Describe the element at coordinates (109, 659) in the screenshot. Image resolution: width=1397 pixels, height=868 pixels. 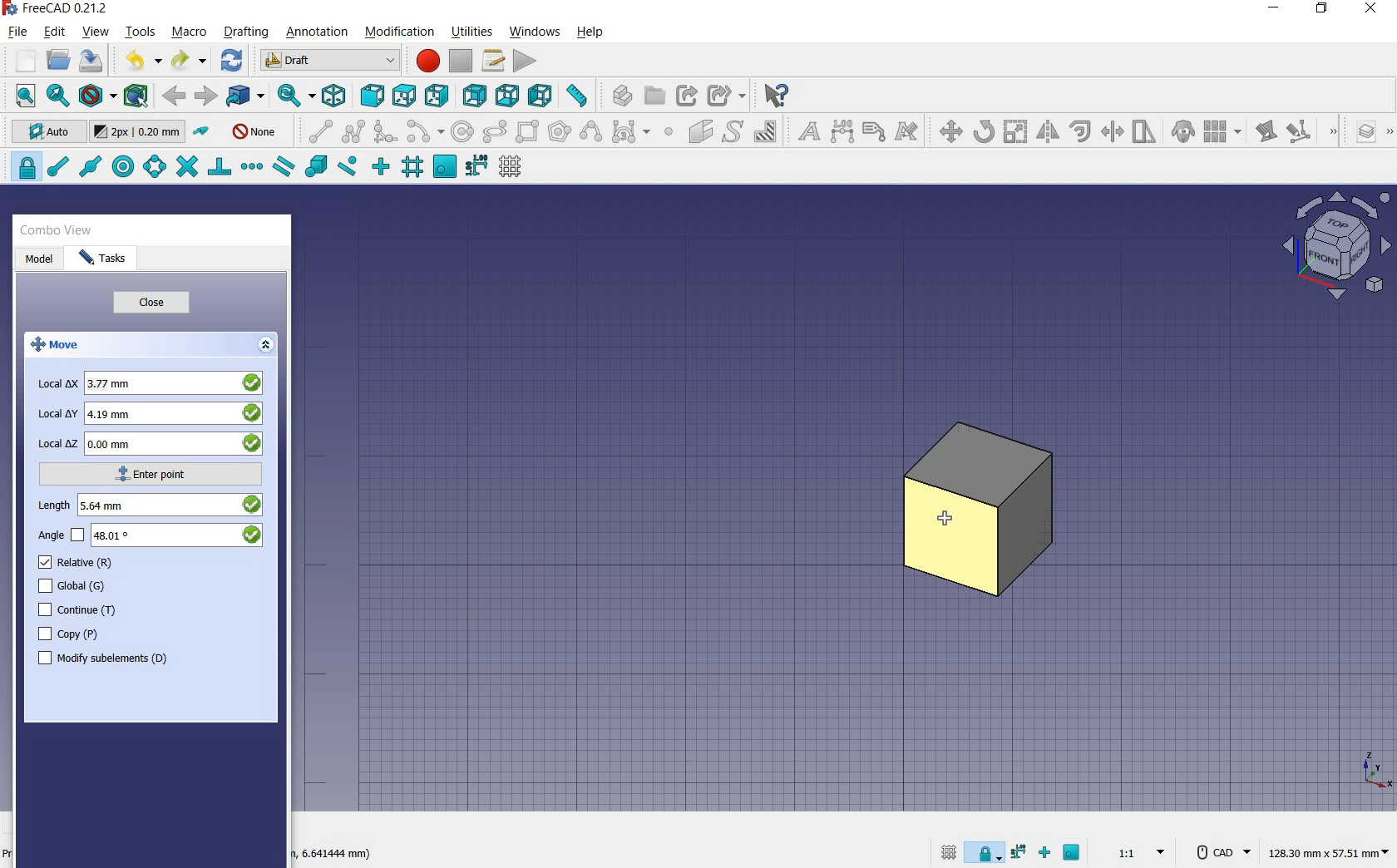
I see `modify subelements` at that location.